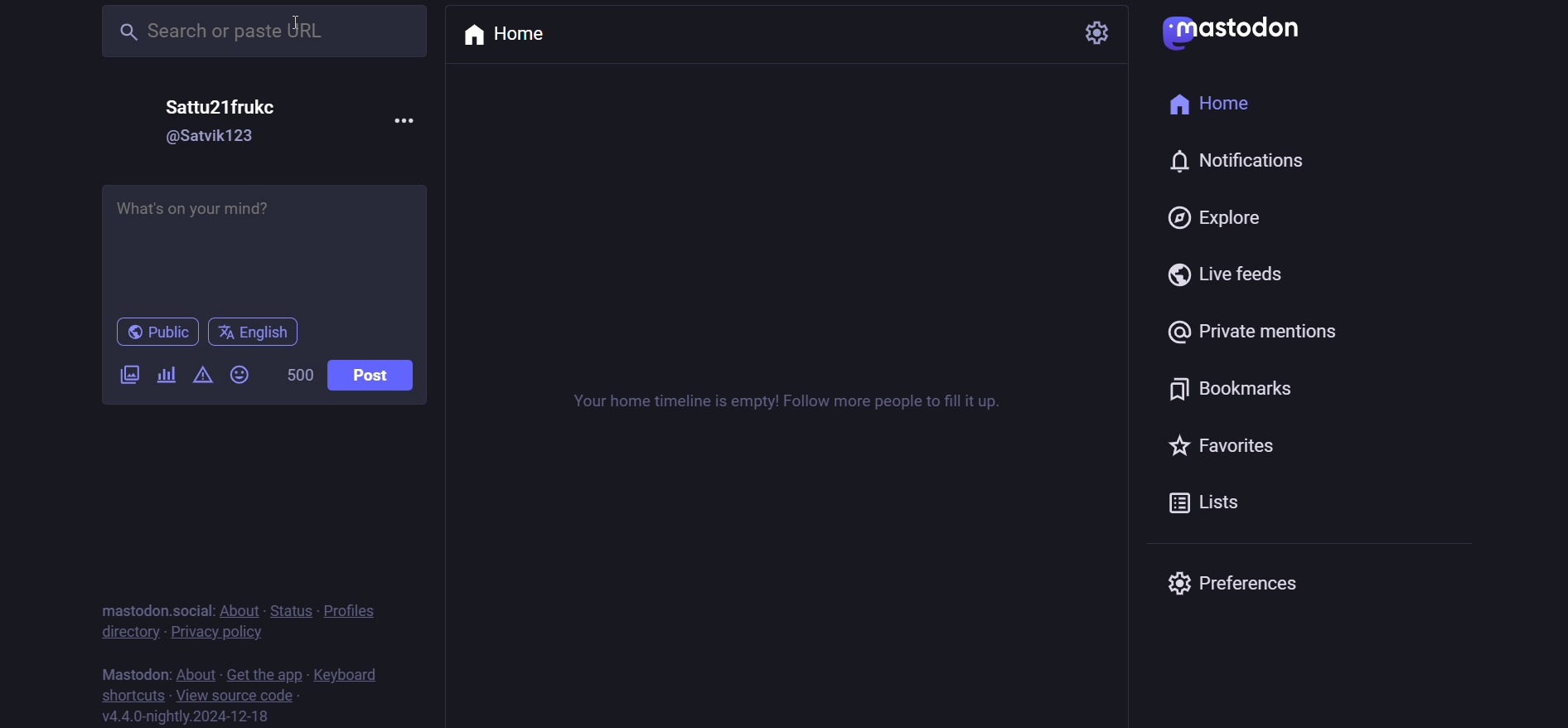 The width and height of the screenshot is (1568, 728). What do you see at coordinates (1221, 443) in the screenshot?
I see `favorite` at bounding box center [1221, 443].